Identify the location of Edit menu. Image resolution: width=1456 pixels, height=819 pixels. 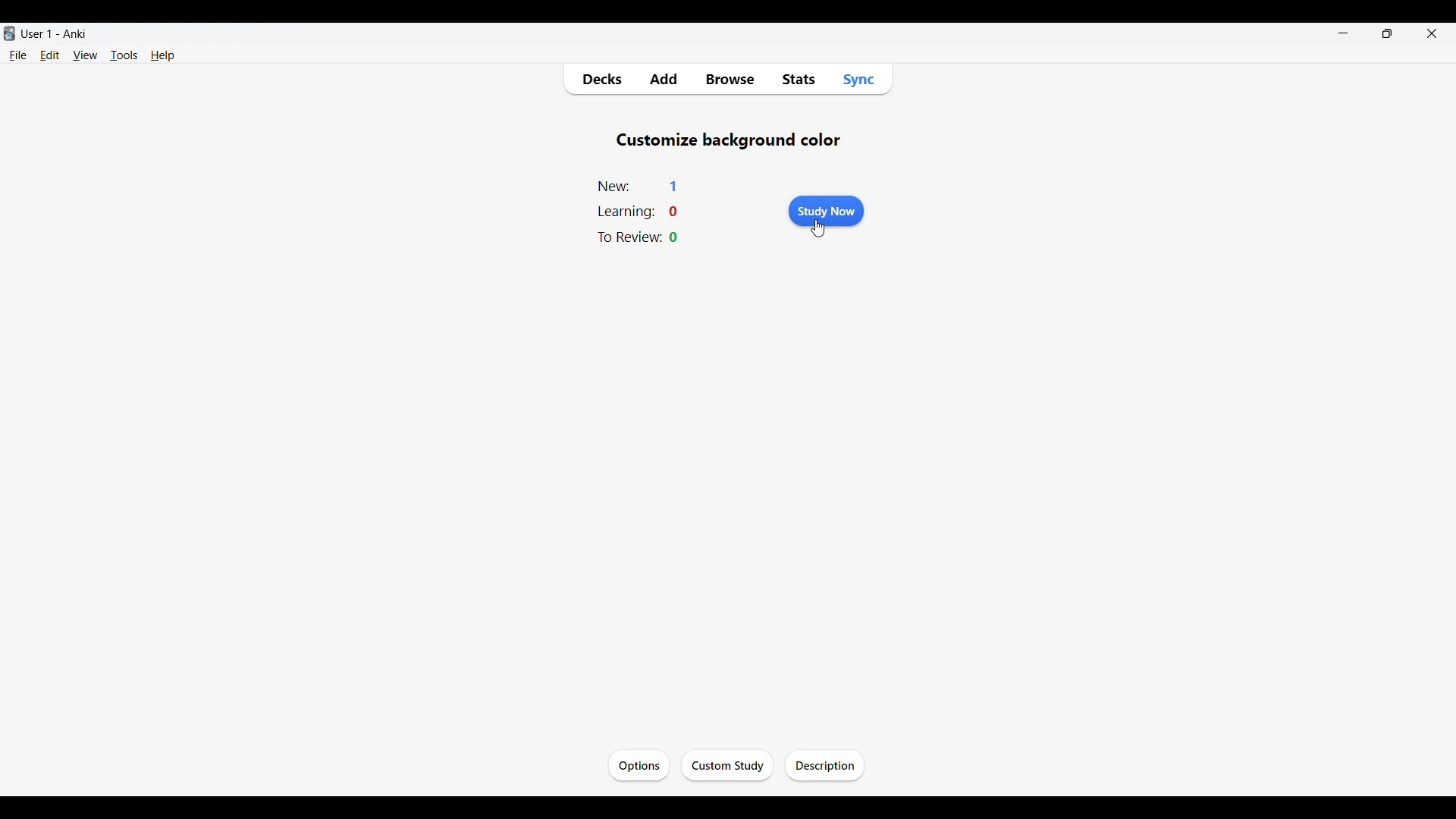
(50, 55).